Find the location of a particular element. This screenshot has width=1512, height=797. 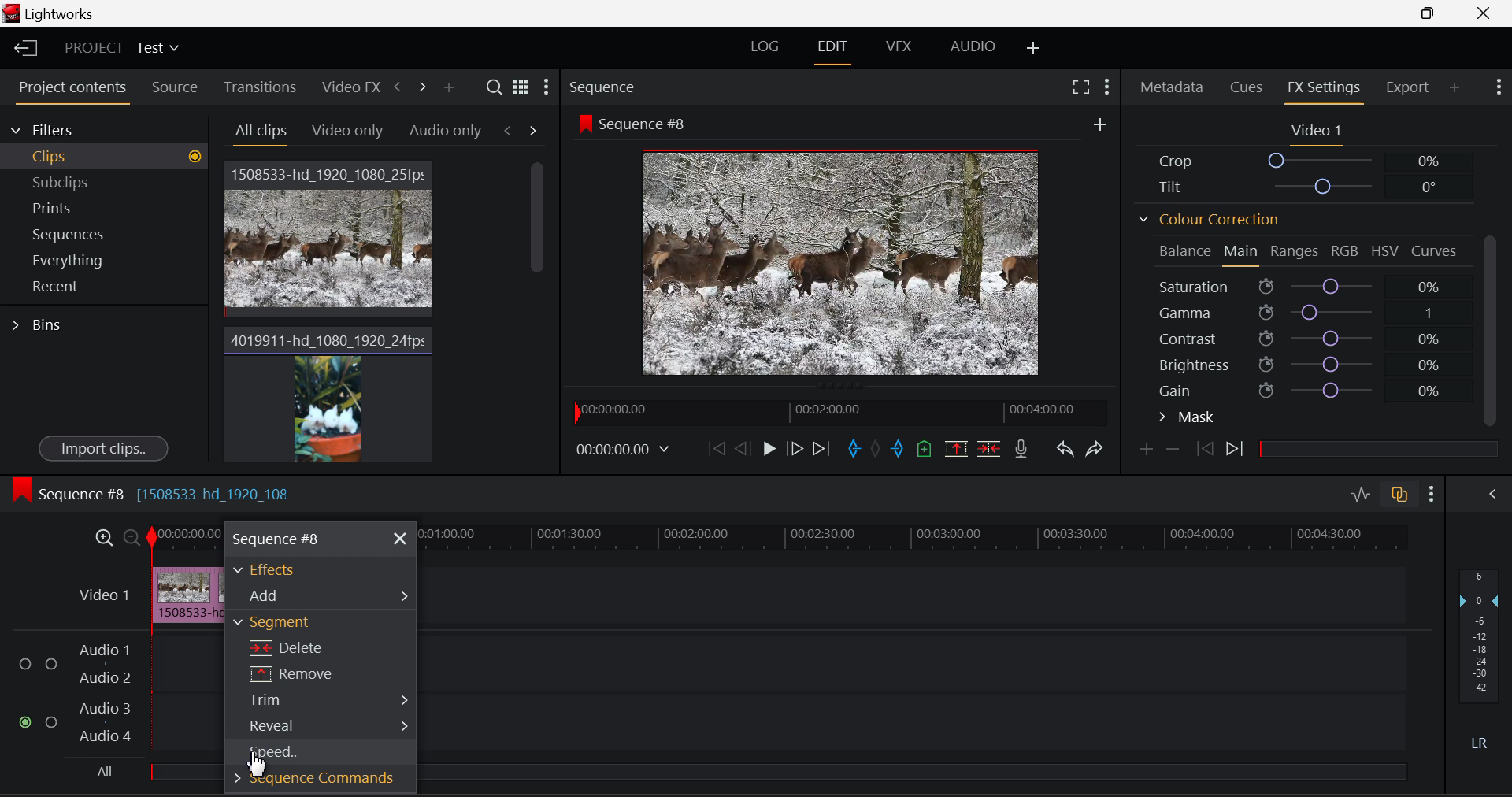

Brightness is located at coordinates (1307, 367).